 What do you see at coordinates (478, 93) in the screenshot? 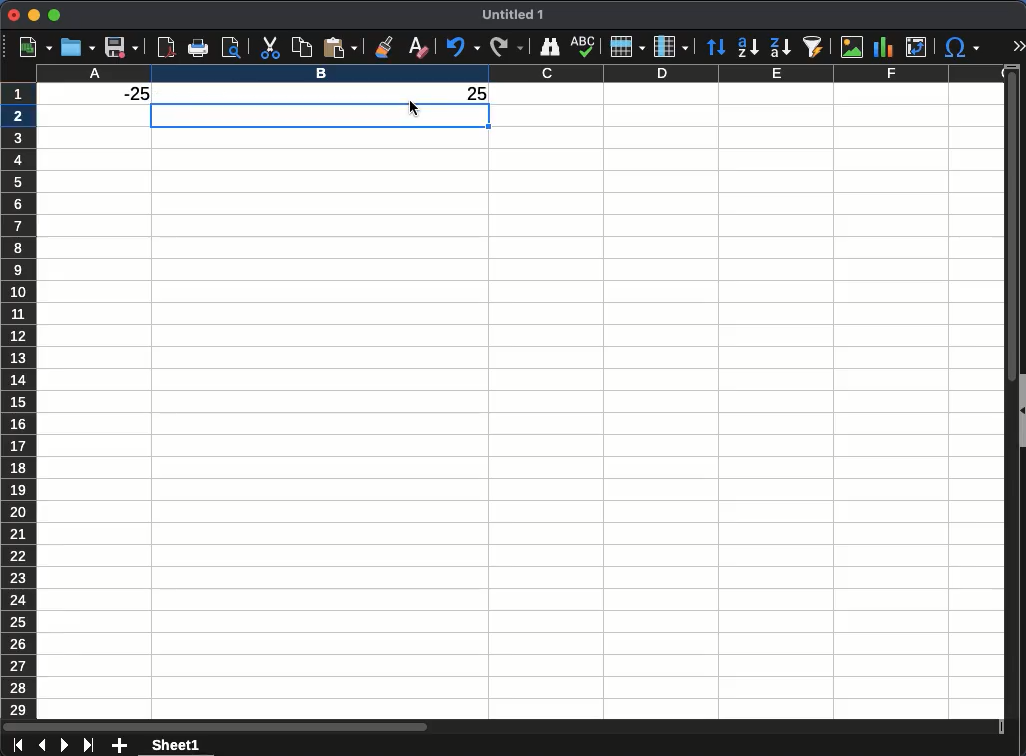
I see `25` at bounding box center [478, 93].